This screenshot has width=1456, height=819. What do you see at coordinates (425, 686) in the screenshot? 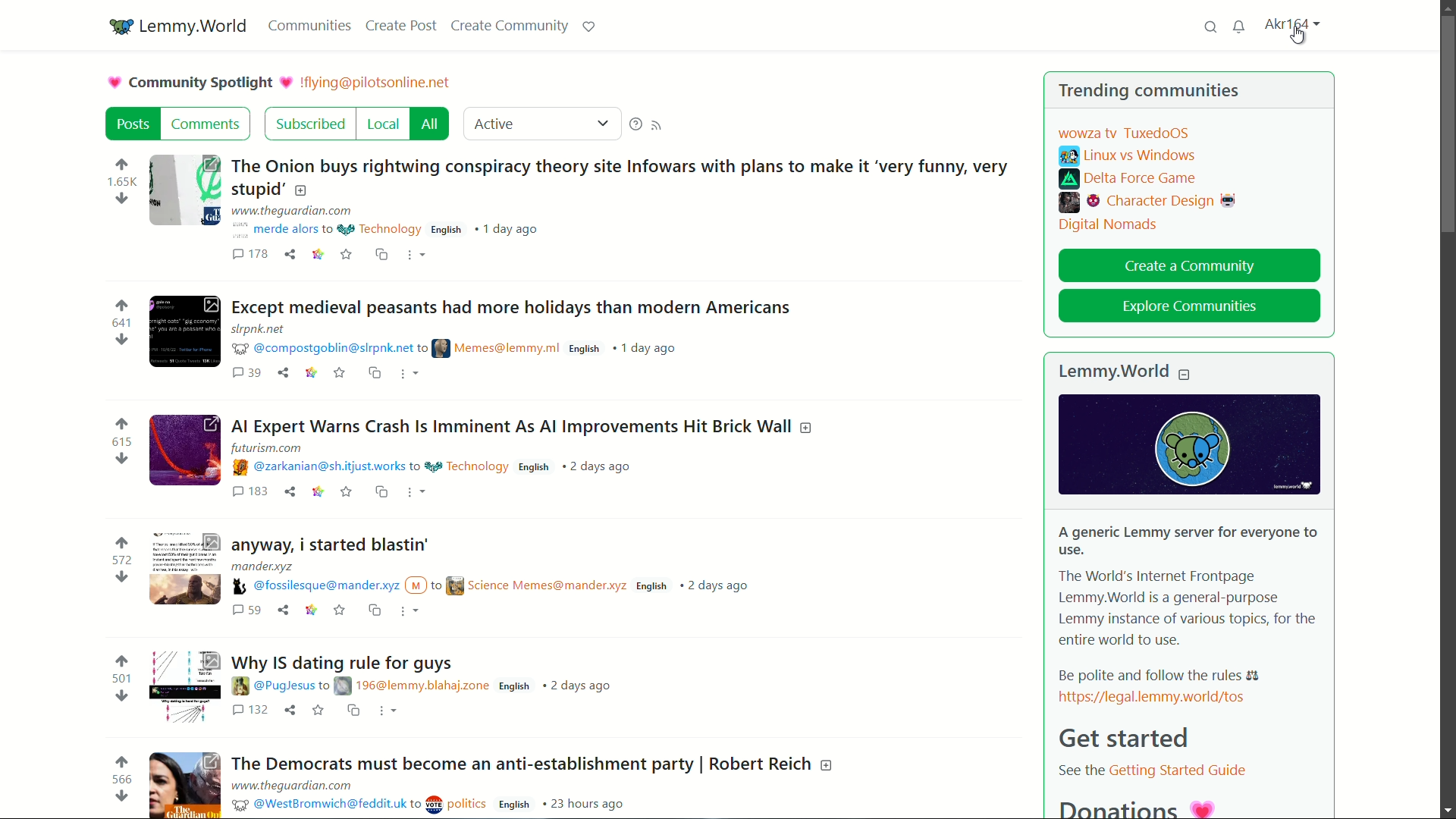
I see `post details` at bounding box center [425, 686].